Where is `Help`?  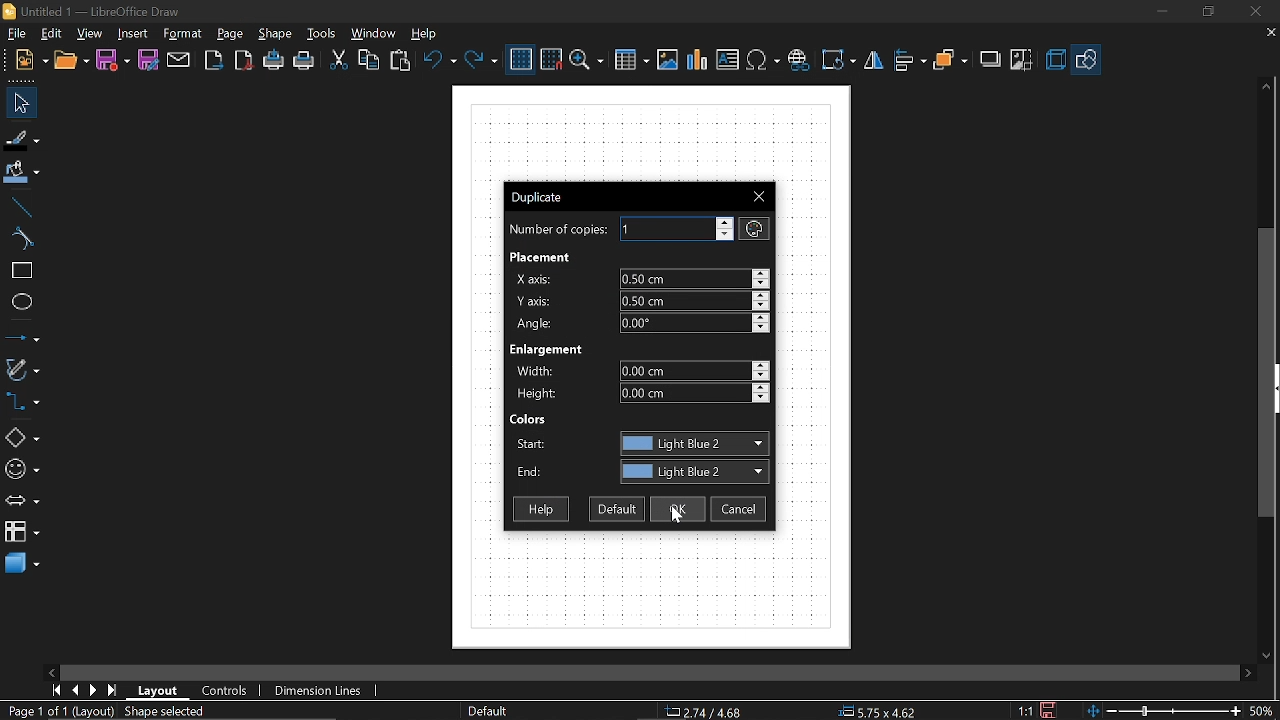 Help is located at coordinates (431, 33).